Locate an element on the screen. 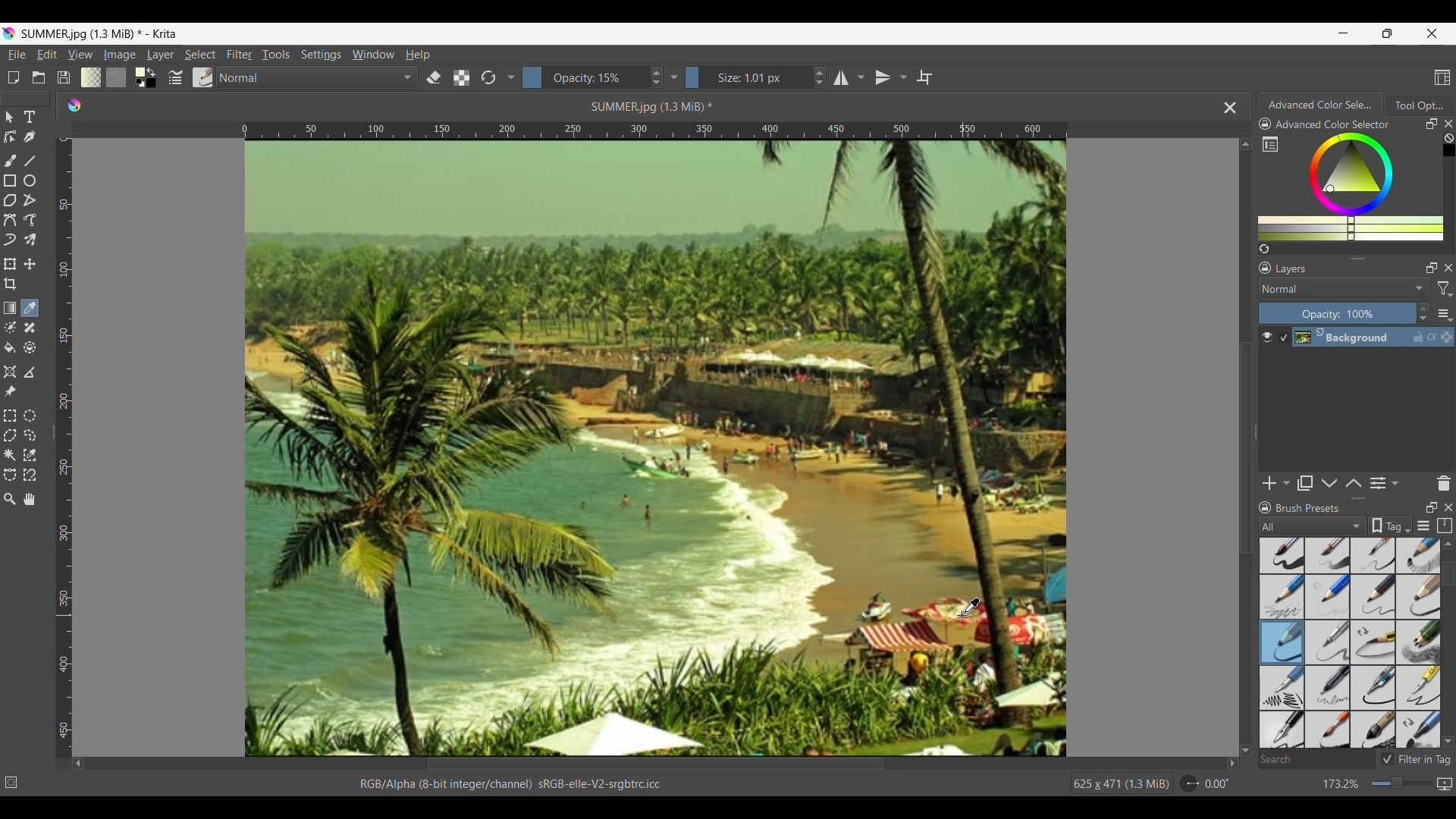 This screenshot has height=819, width=1456. Float docker is located at coordinates (1432, 268).